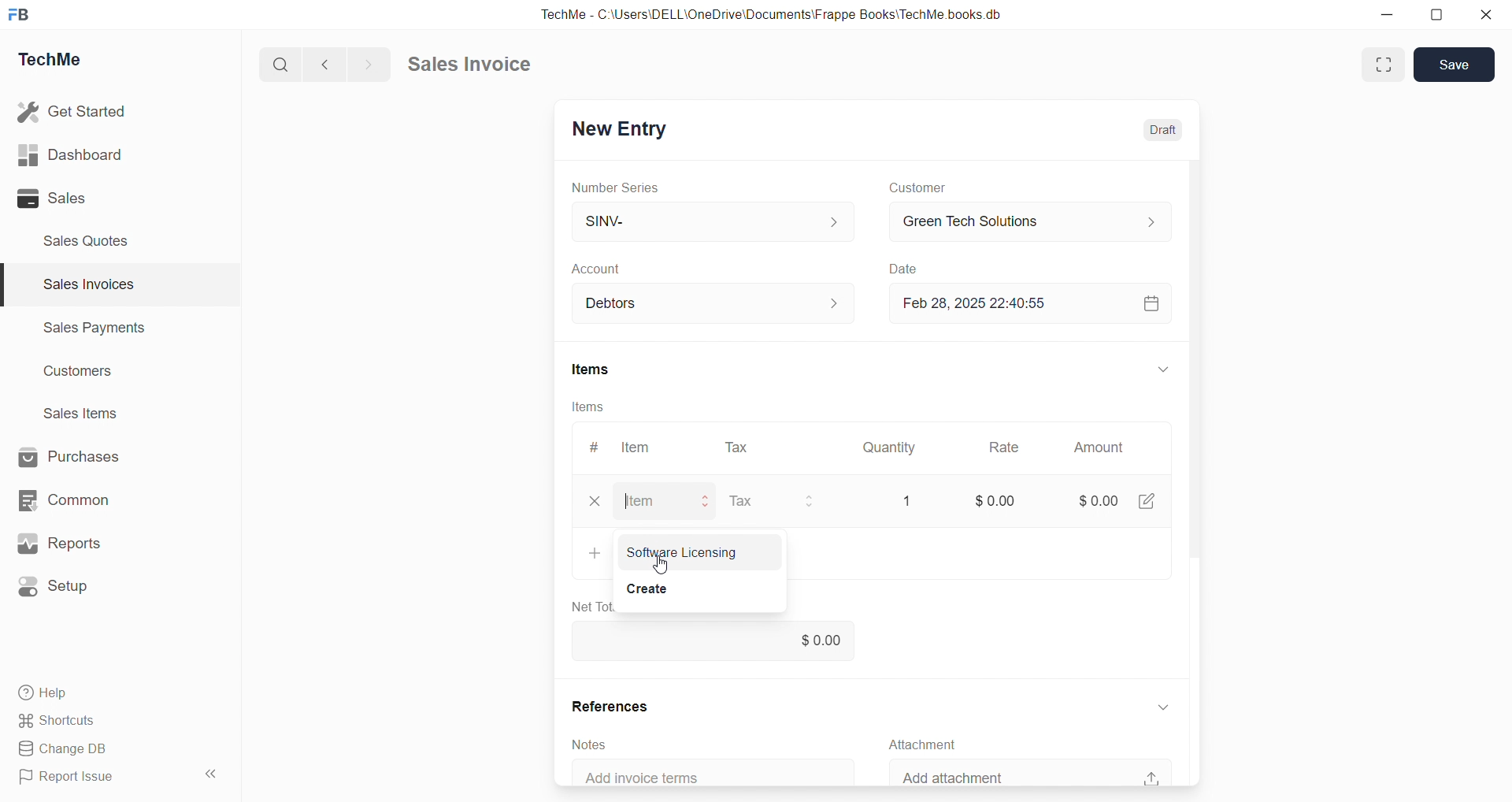 The image size is (1512, 802). Describe the element at coordinates (46, 693) in the screenshot. I see `Help` at that location.